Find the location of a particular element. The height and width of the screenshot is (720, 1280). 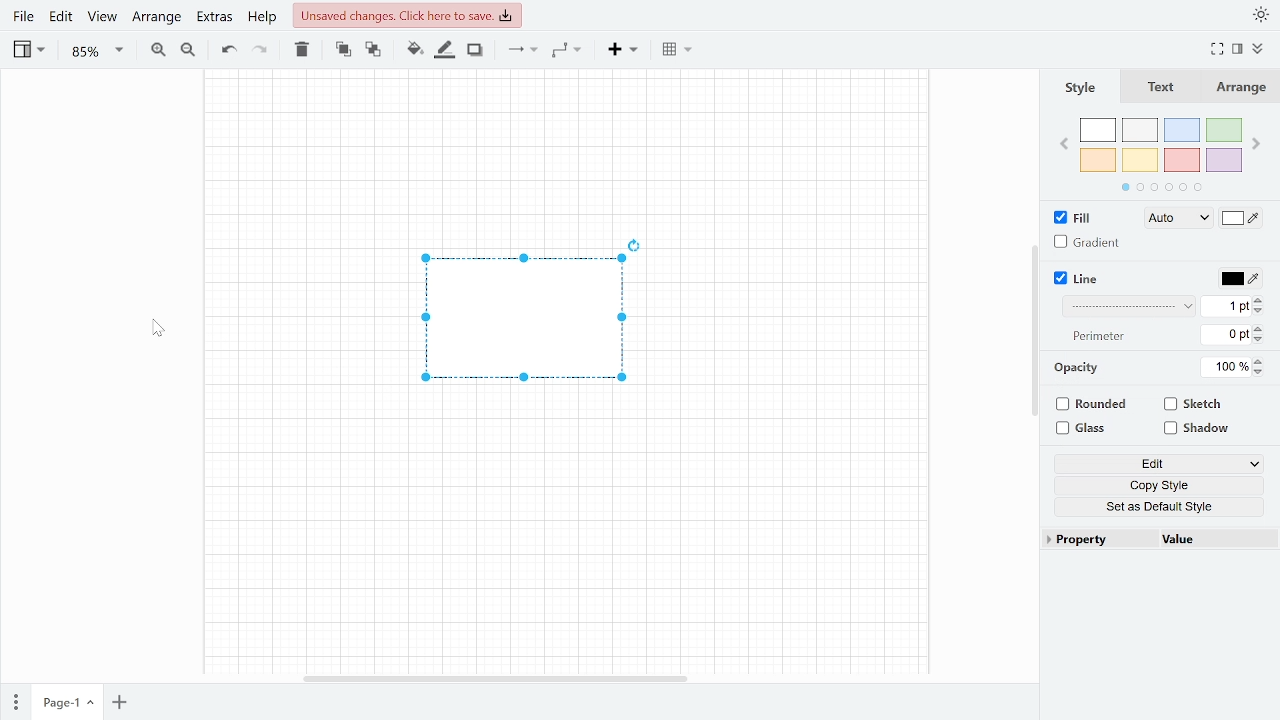

Current page (page 1) is located at coordinates (66, 703).